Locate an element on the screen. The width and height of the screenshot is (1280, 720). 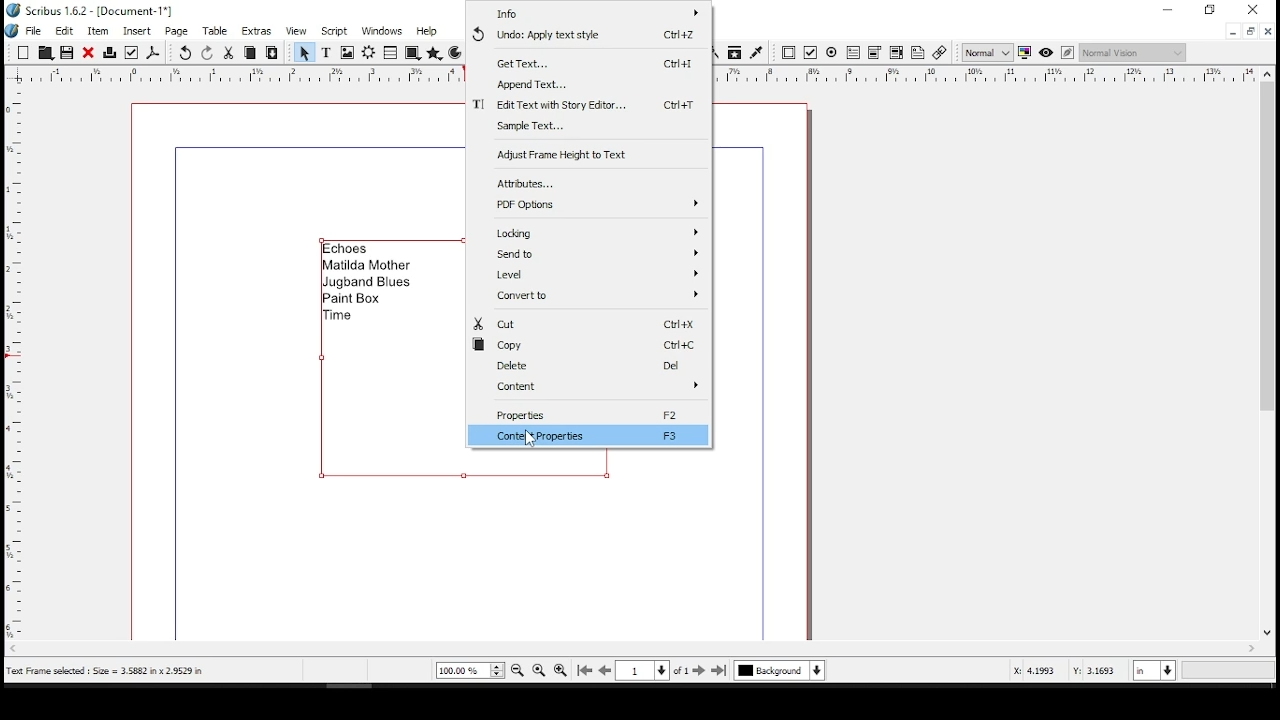
cut is located at coordinates (584, 324).